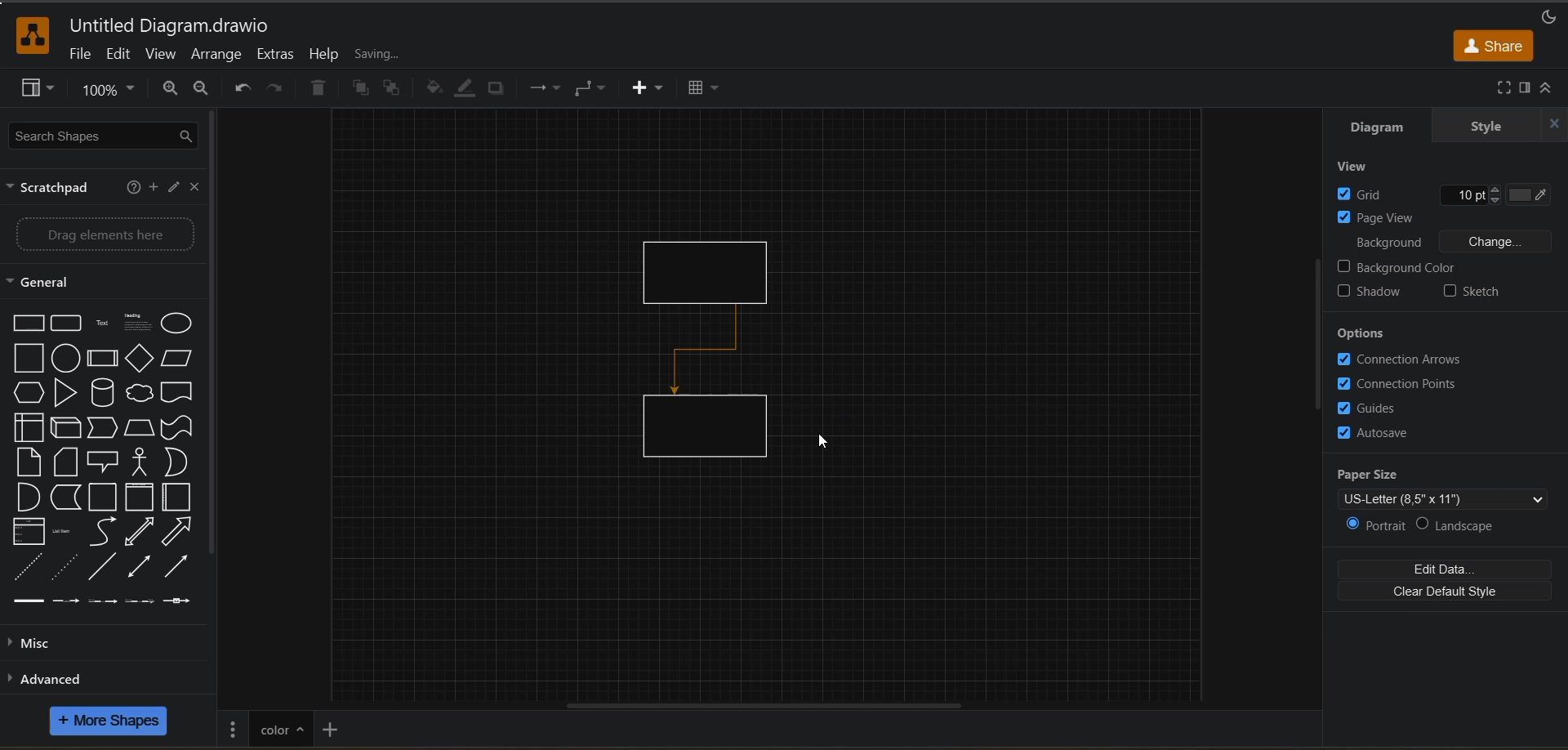 The width and height of the screenshot is (1568, 750). I want to click on shadow, so click(1372, 293).